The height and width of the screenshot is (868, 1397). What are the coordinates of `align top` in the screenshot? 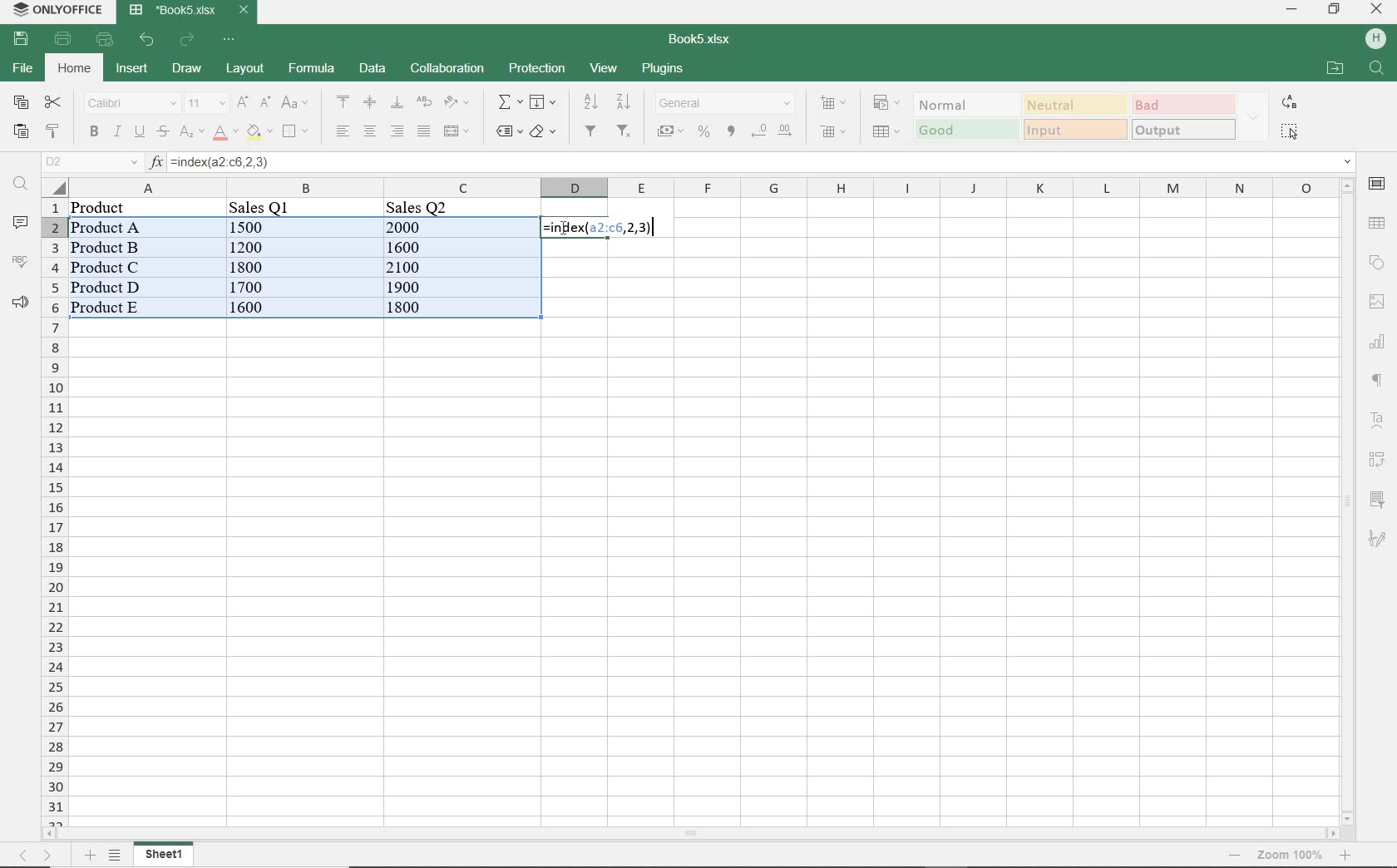 It's located at (340, 102).